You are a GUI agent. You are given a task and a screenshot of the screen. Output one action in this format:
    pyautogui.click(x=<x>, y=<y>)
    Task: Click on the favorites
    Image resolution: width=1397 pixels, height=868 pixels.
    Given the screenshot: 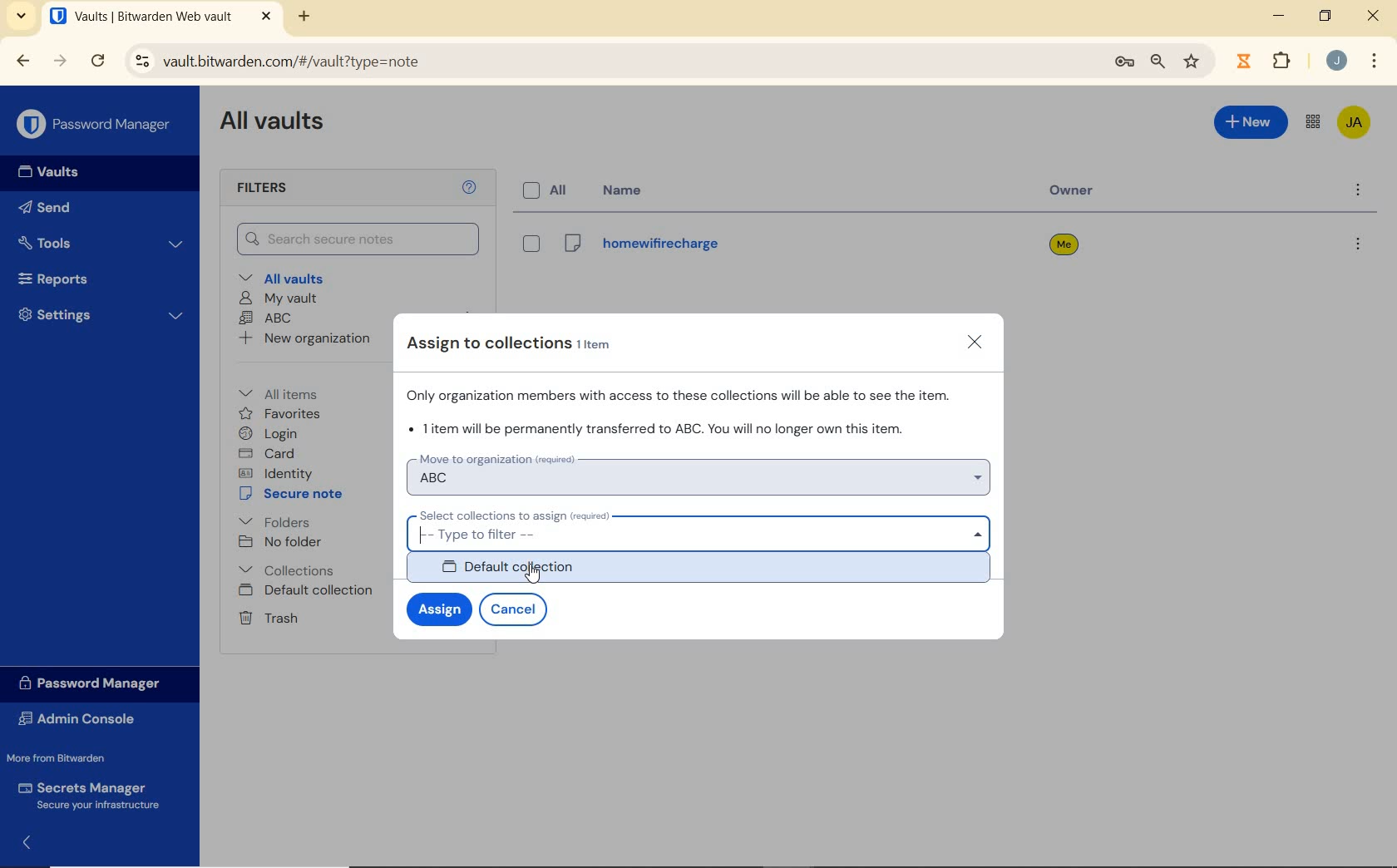 What is the action you would take?
    pyautogui.click(x=280, y=414)
    